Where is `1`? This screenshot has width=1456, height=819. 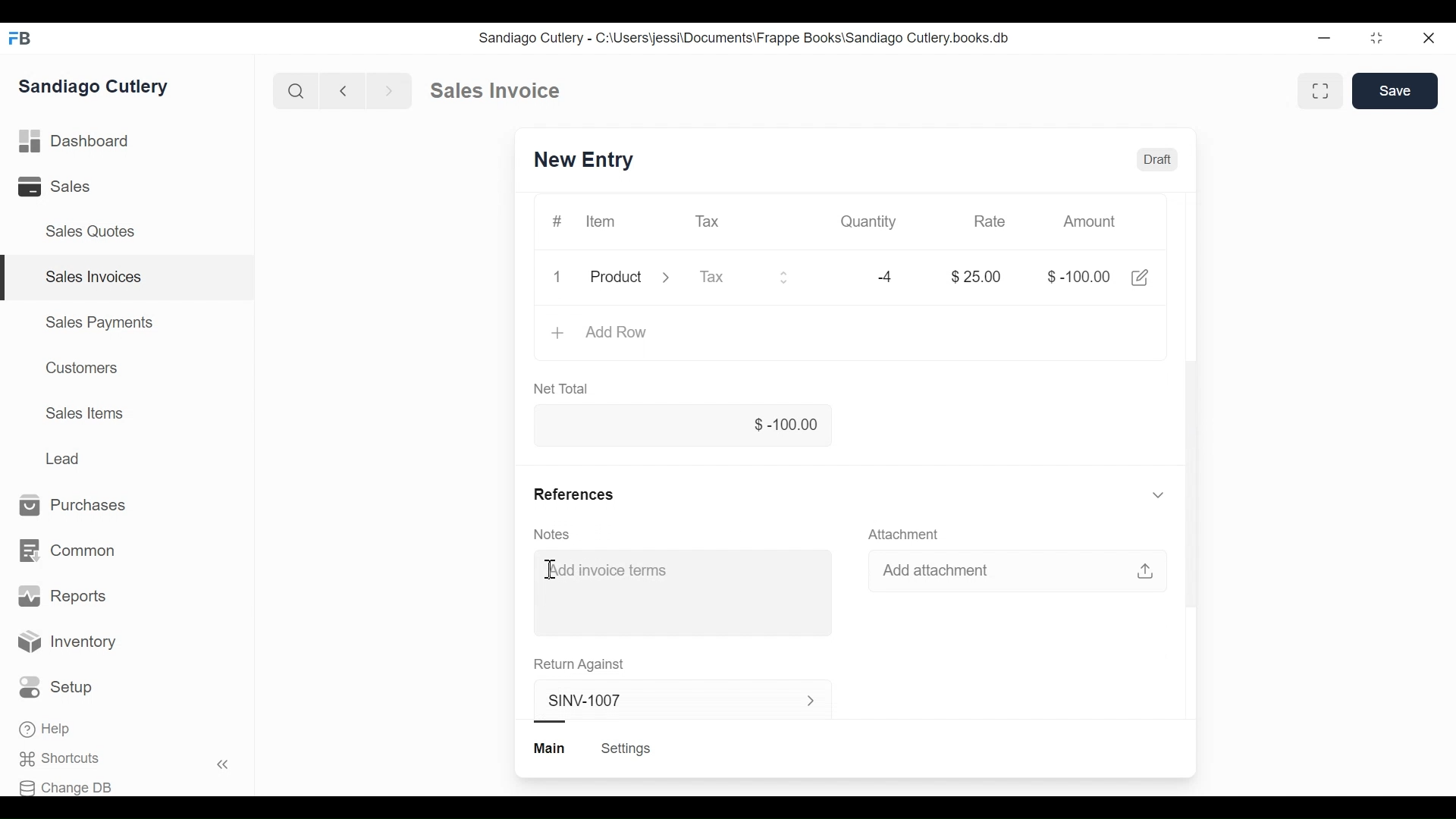
1 is located at coordinates (555, 275).